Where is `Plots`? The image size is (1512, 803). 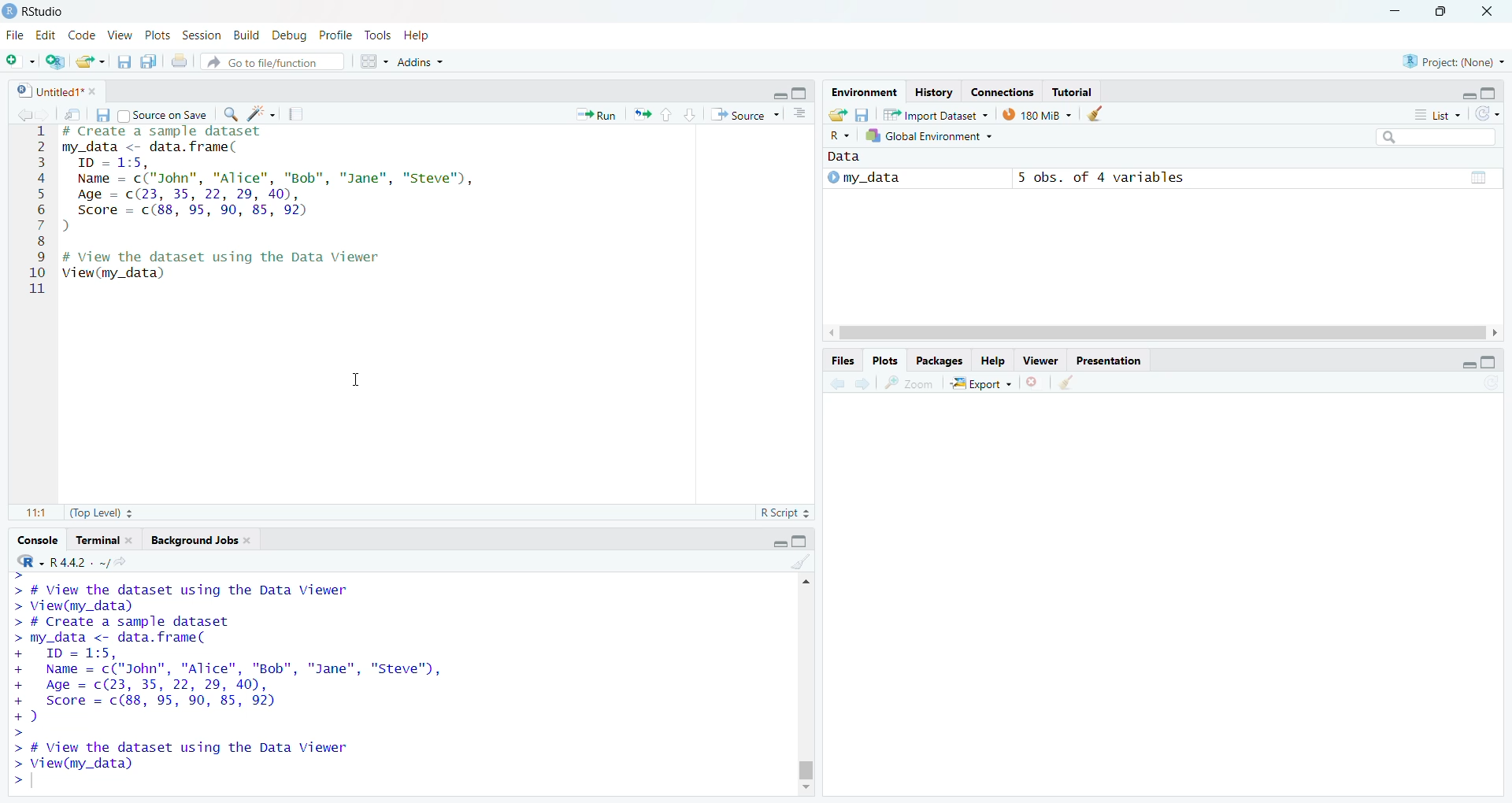
Plots is located at coordinates (889, 361).